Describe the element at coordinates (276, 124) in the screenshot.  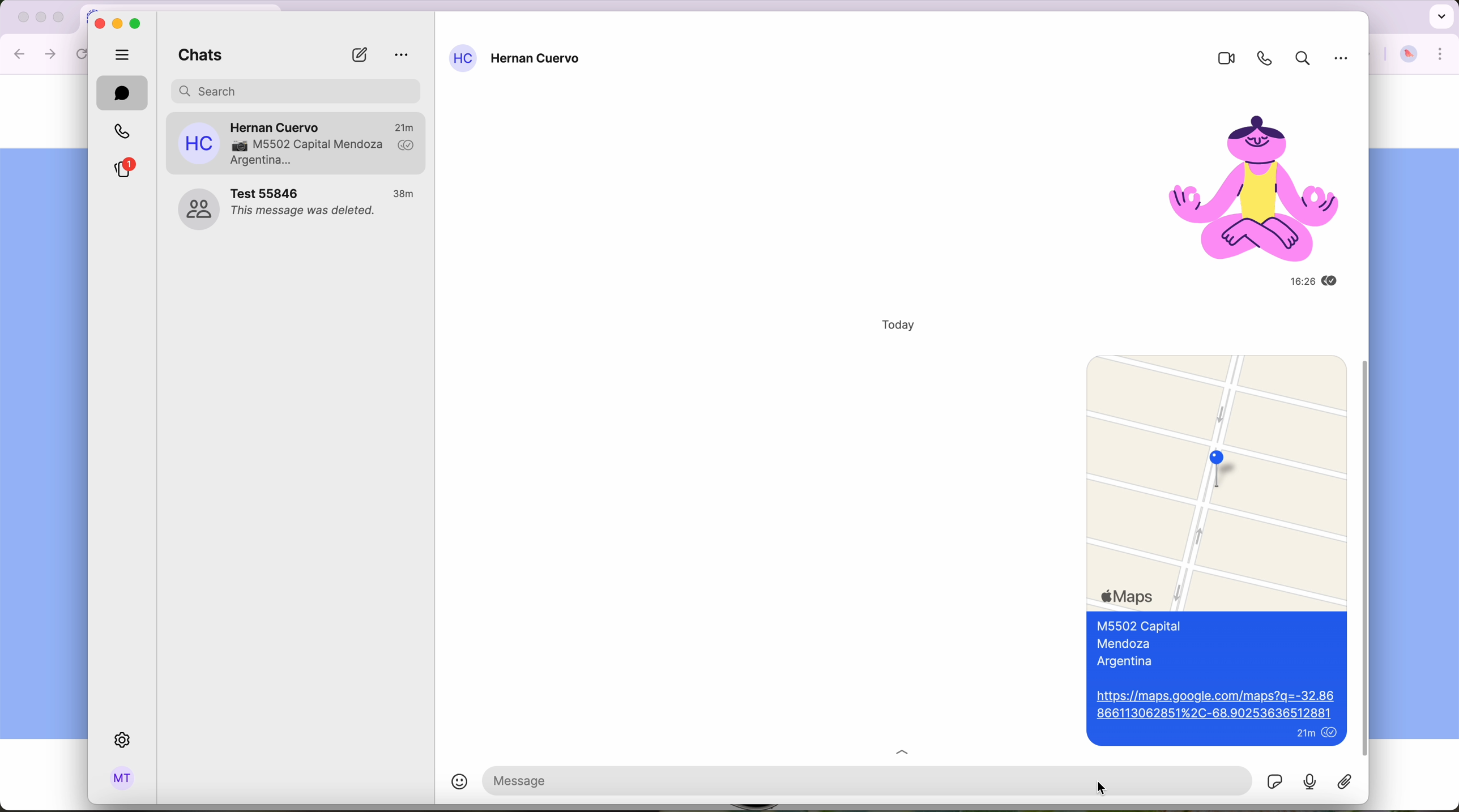
I see `Hernan Cuervo` at that location.